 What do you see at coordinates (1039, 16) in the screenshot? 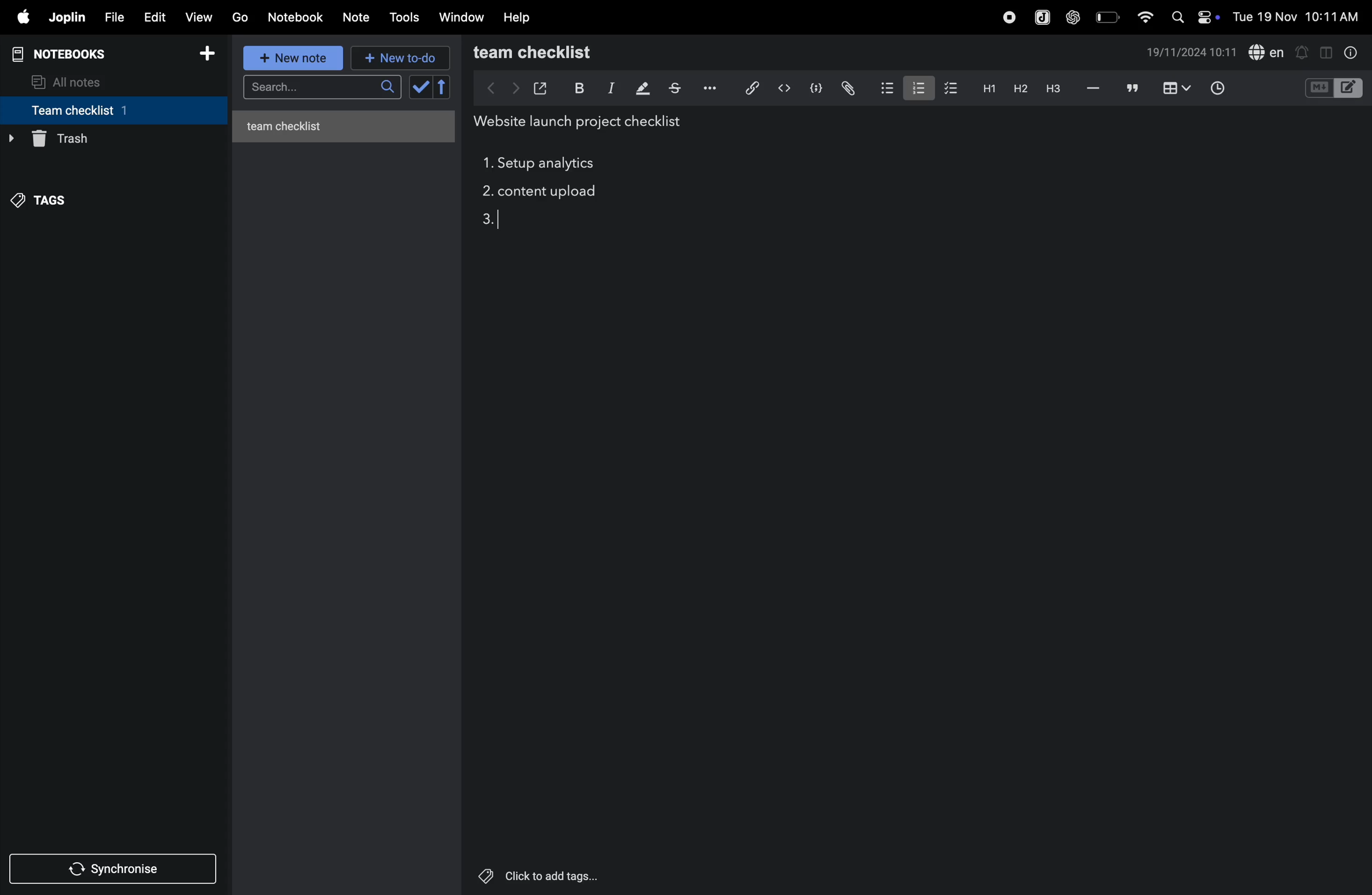
I see `joplin` at bounding box center [1039, 16].